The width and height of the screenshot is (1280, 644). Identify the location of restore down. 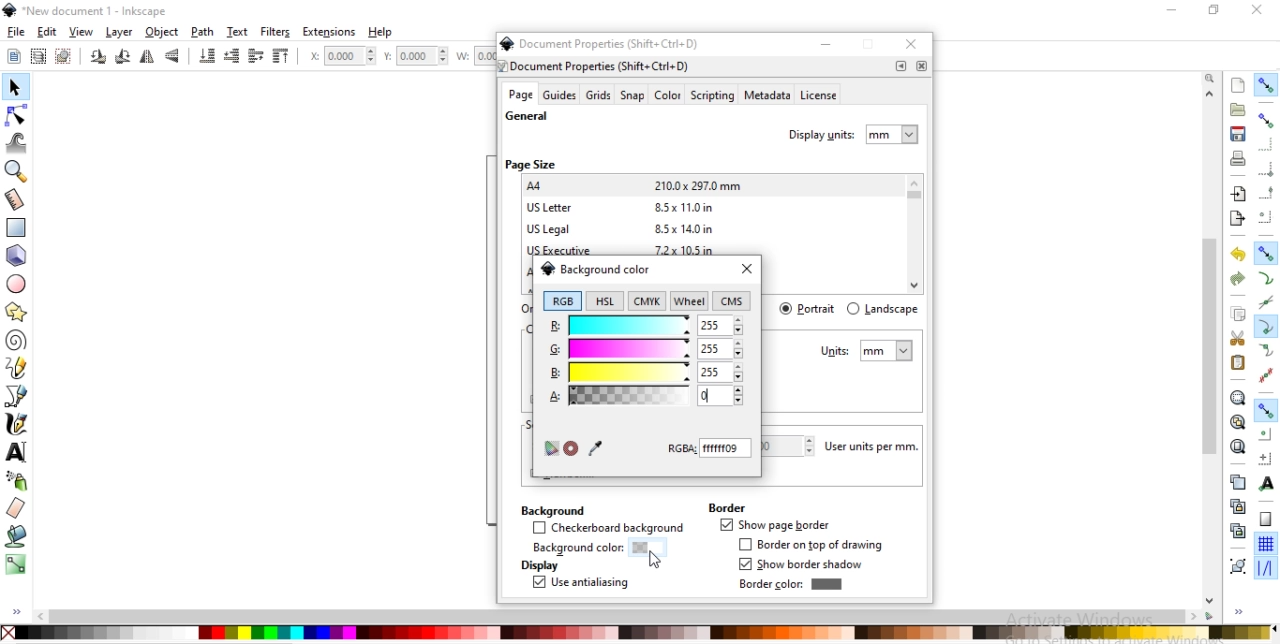
(1210, 9).